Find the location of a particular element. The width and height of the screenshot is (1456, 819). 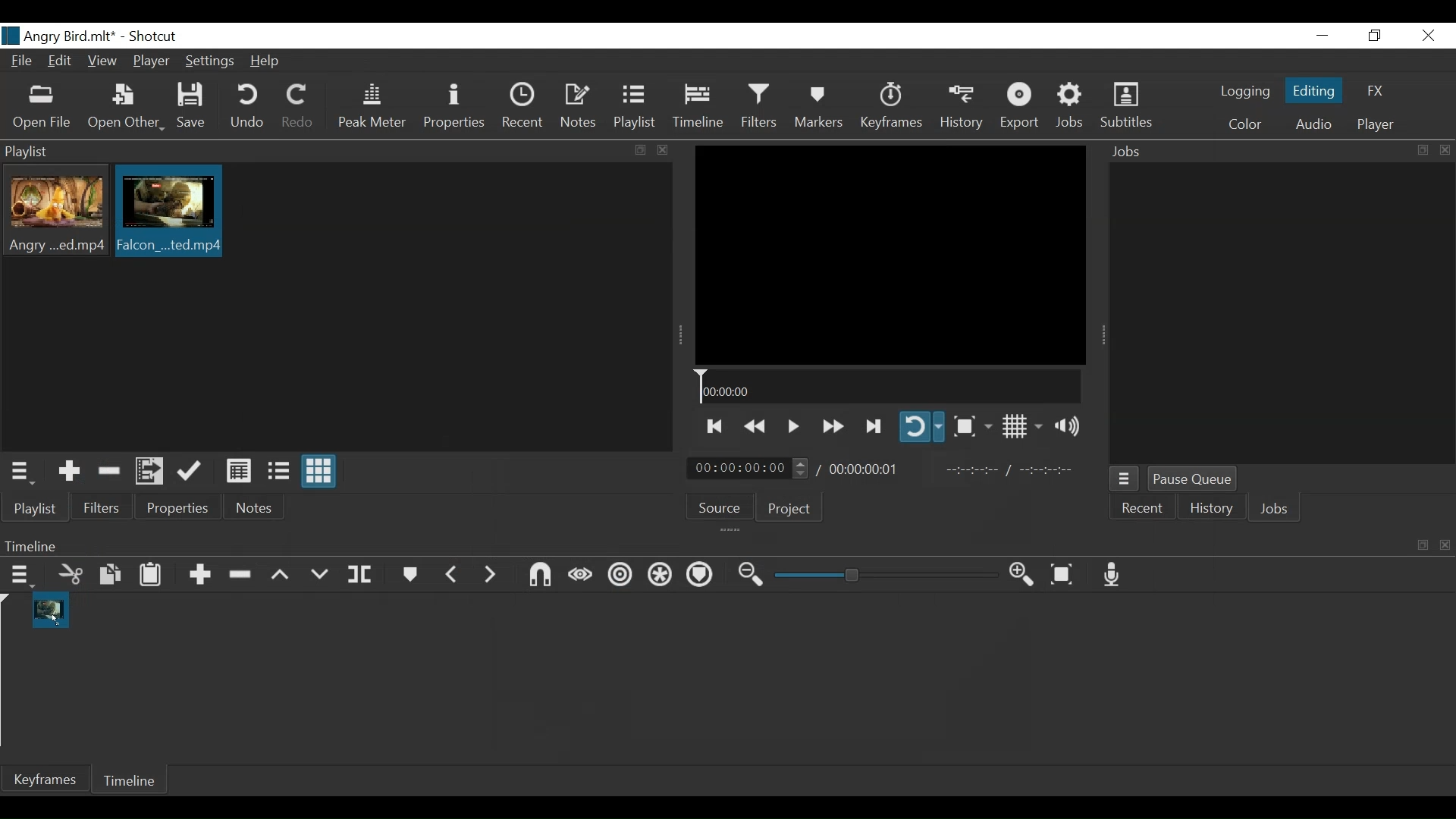

Paste is located at coordinates (152, 578).